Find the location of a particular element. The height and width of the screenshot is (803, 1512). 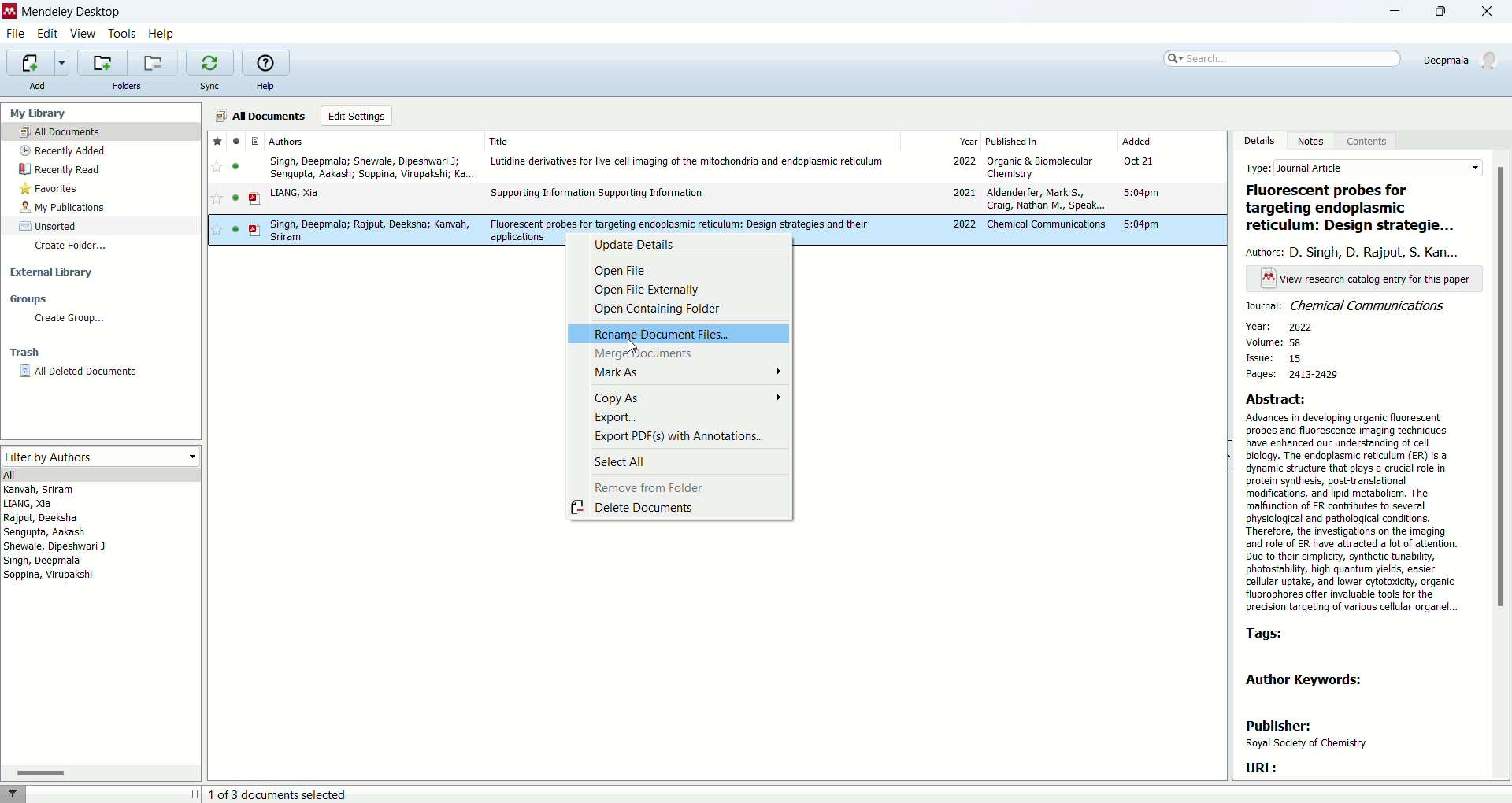

read/unread is located at coordinates (235, 200).